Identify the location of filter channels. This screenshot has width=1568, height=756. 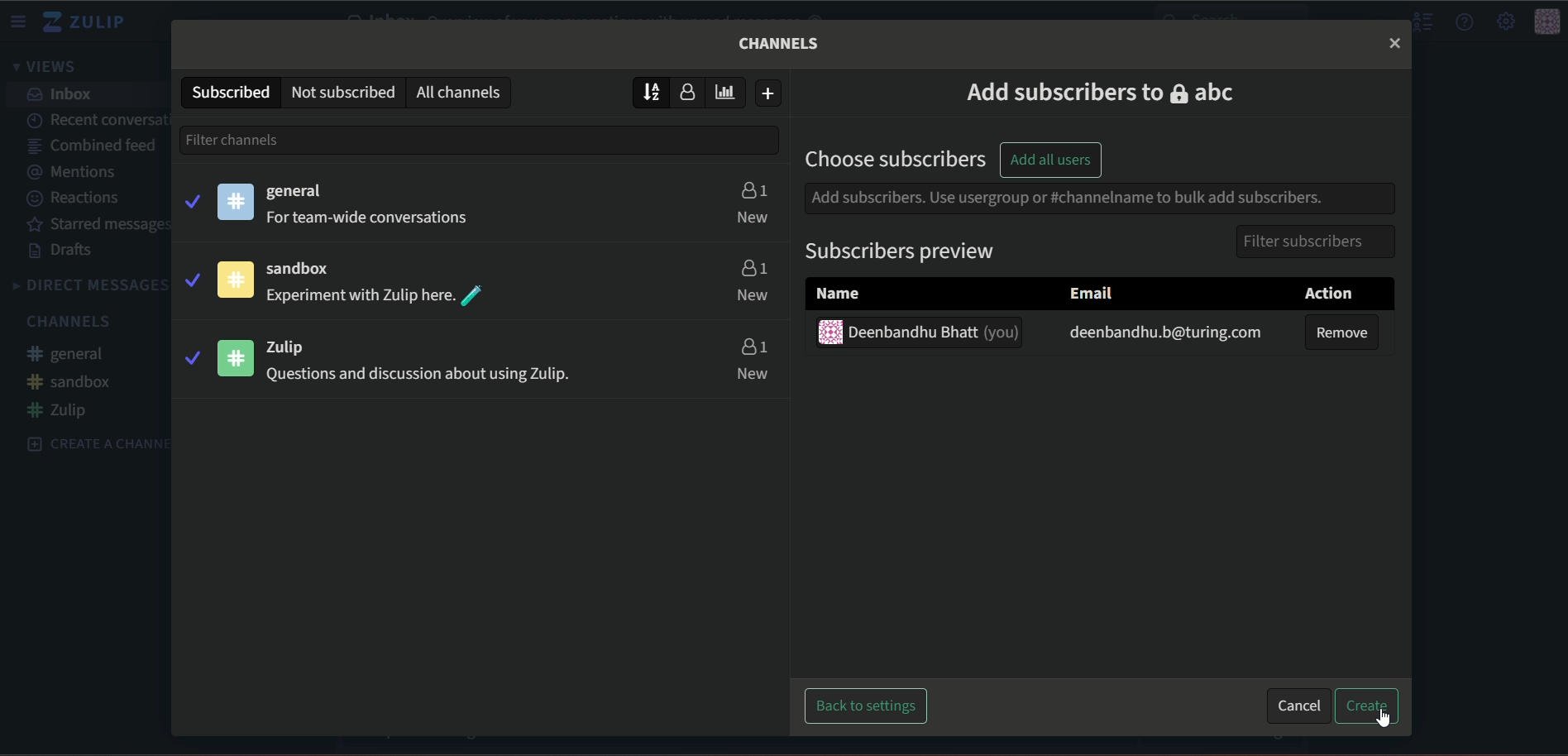
(265, 139).